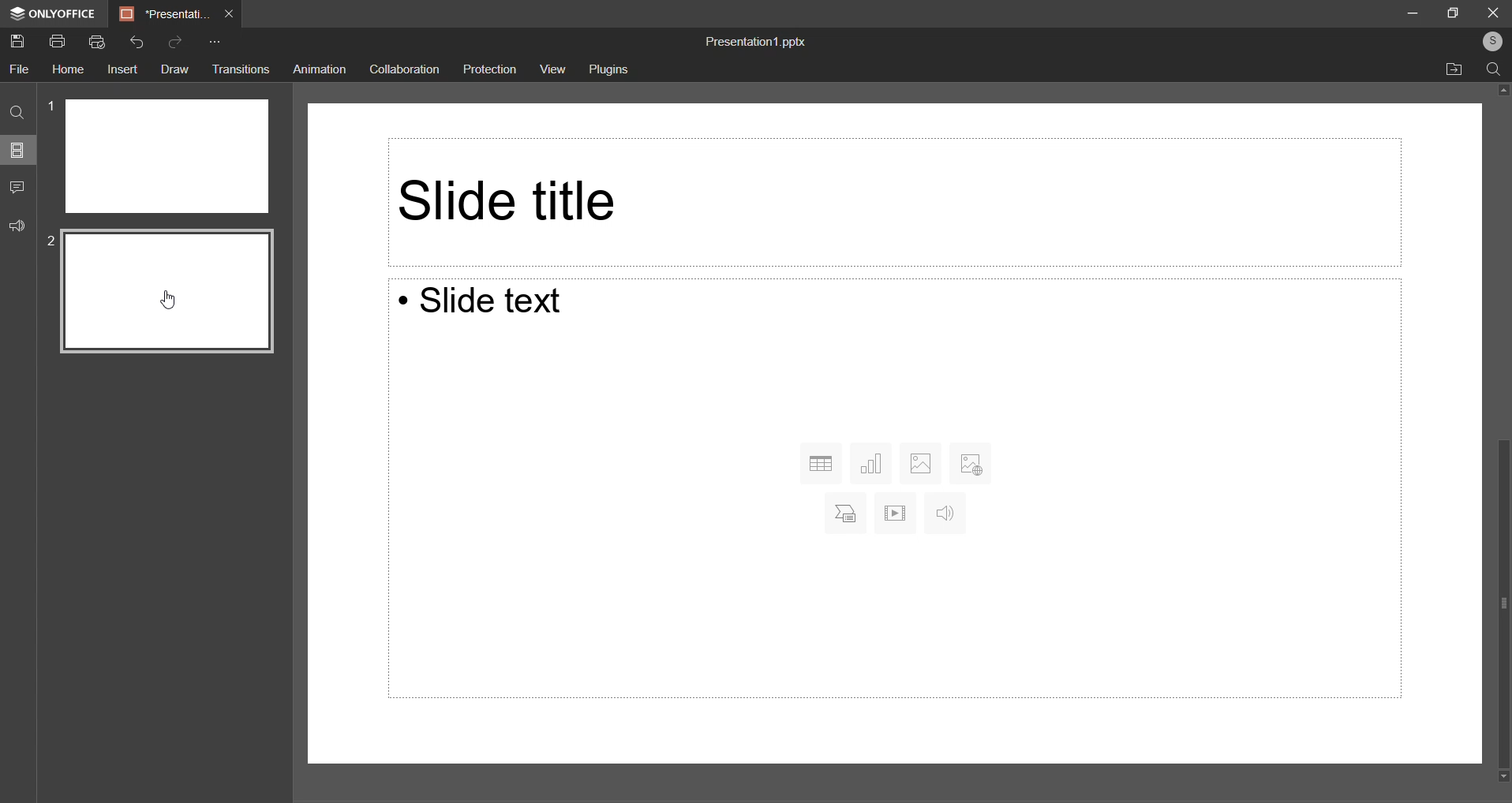 This screenshot has width=1512, height=803. I want to click on cursor, so click(168, 301).